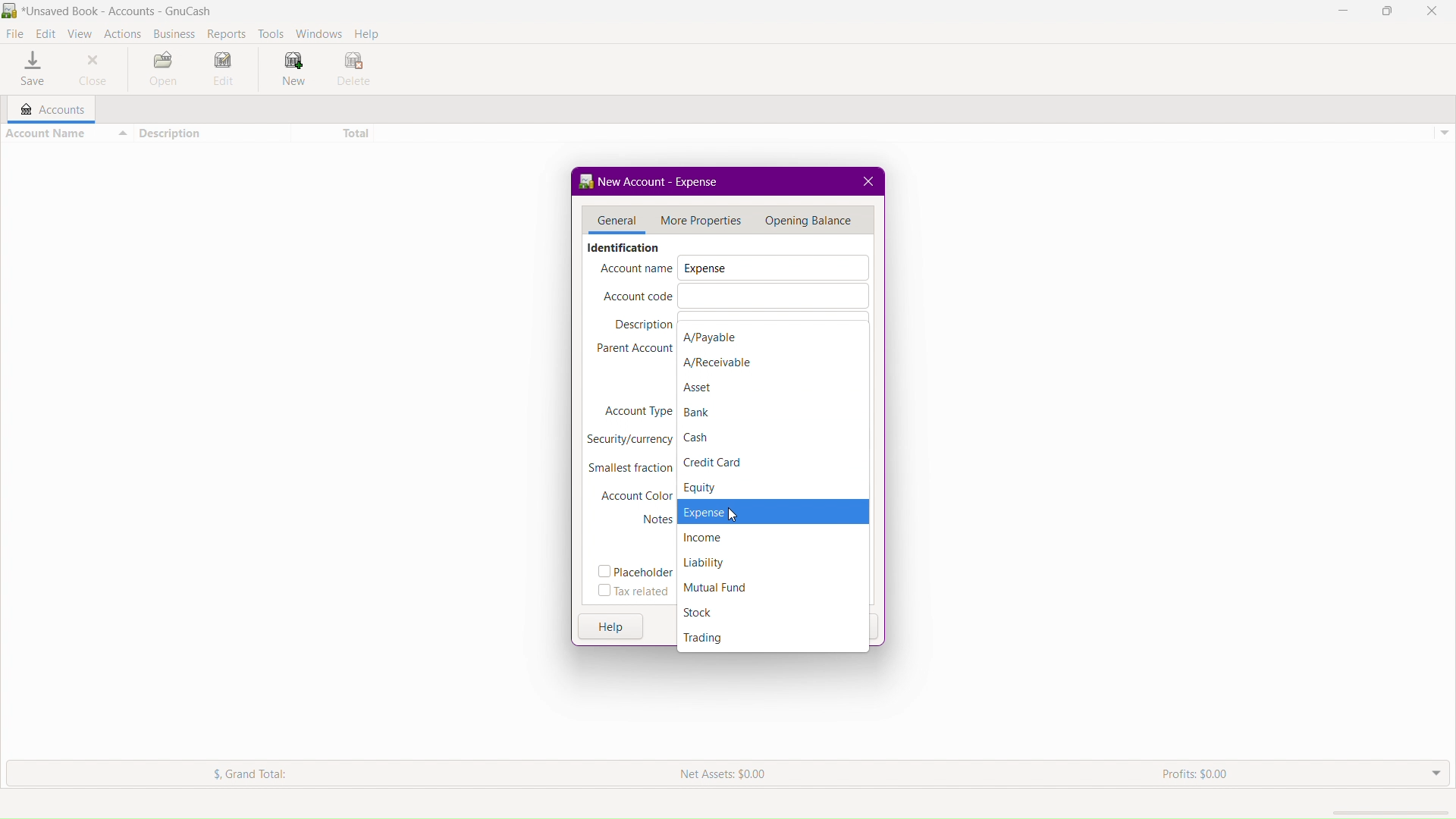 The height and width of the screenshot is (819, 1456). What do you see at coordinates (697, 438) in the screenshot?
I see `Cash` at bounding box center [697, 438].